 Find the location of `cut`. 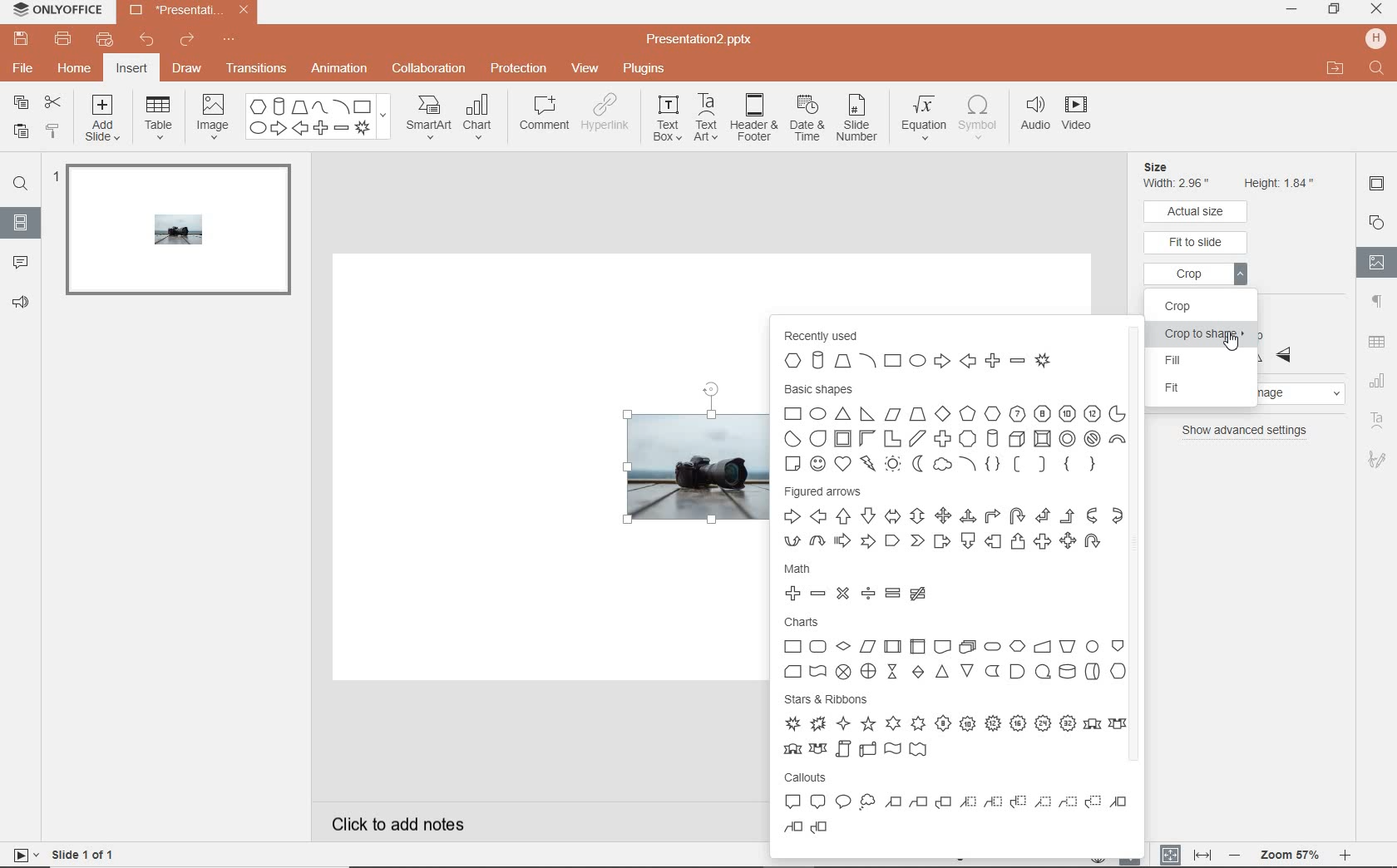

cut is located at coordinates (54, 101).